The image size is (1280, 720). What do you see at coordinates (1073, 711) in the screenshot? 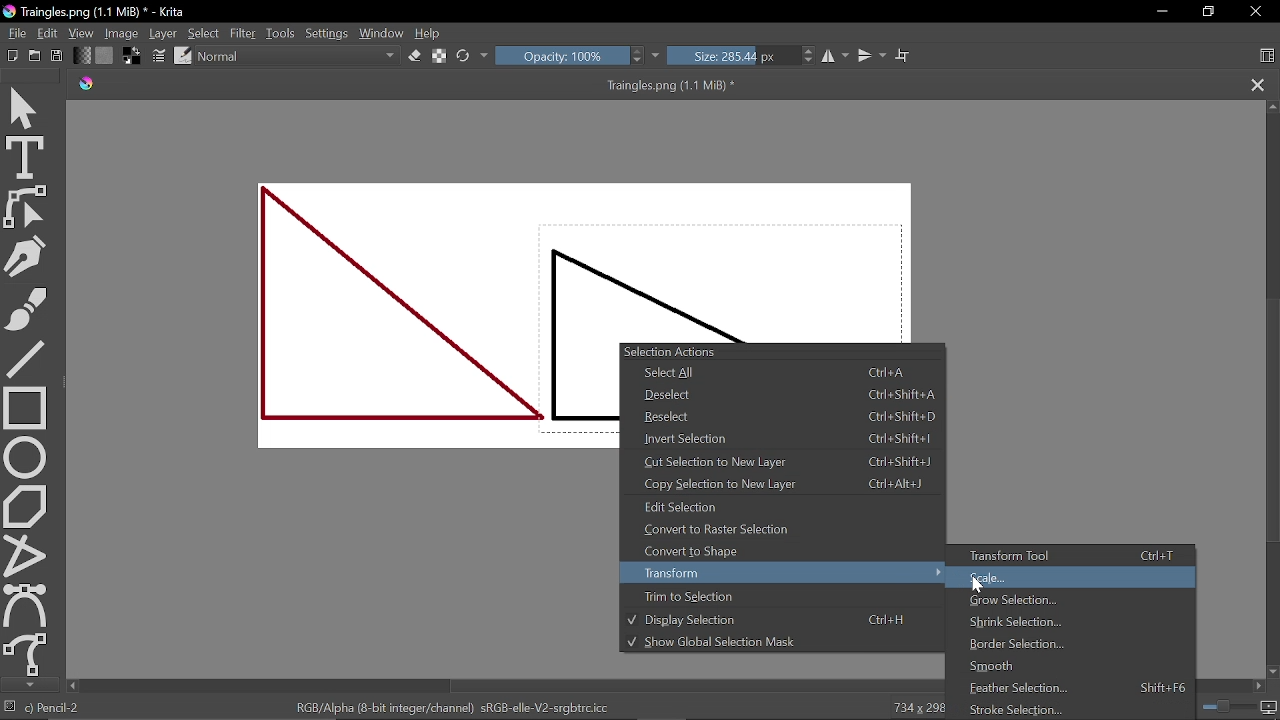
I see `Stroke selection` at bounding box center [1073, 711].